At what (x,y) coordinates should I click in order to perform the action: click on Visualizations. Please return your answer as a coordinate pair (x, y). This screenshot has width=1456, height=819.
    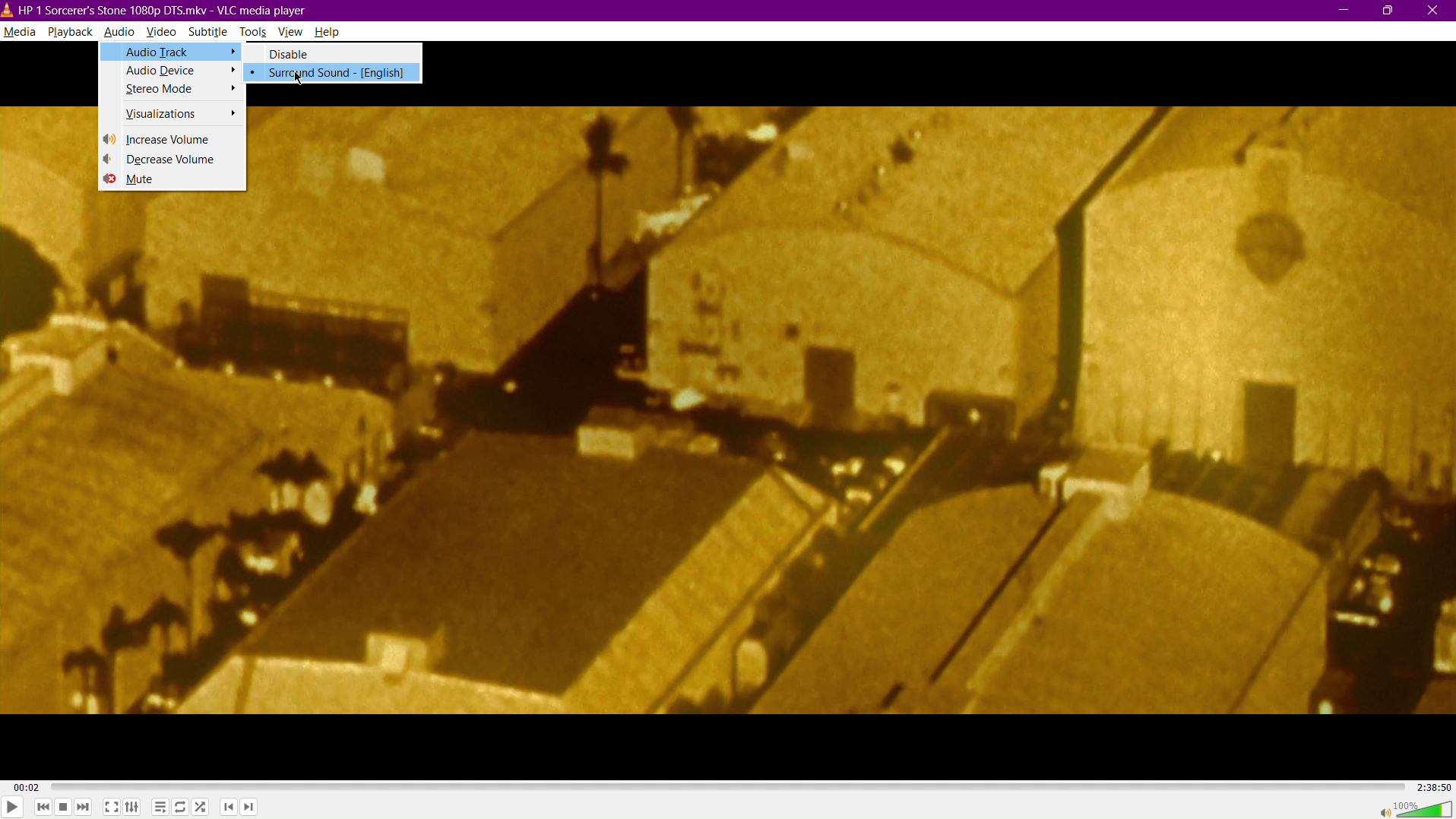
    Looking at the image, I should click on (172, 115).